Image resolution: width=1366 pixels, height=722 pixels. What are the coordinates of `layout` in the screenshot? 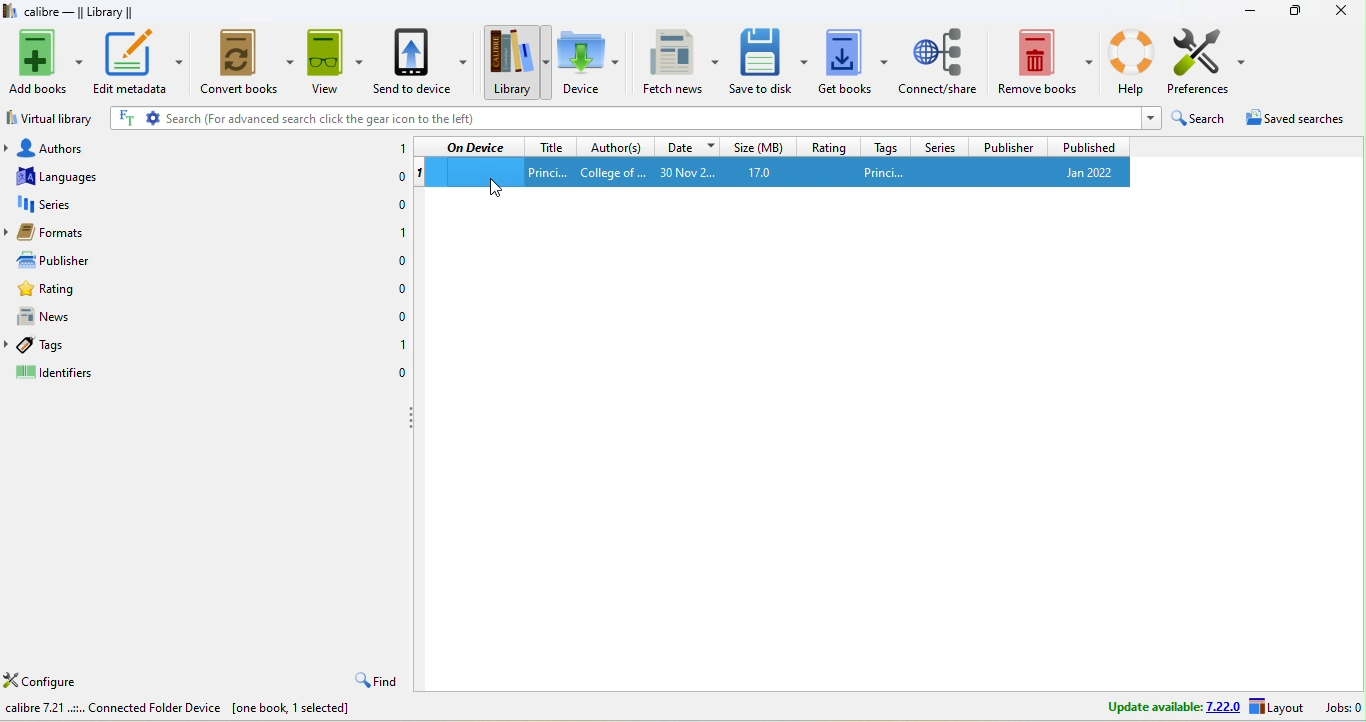 It's located at (1277, 708).